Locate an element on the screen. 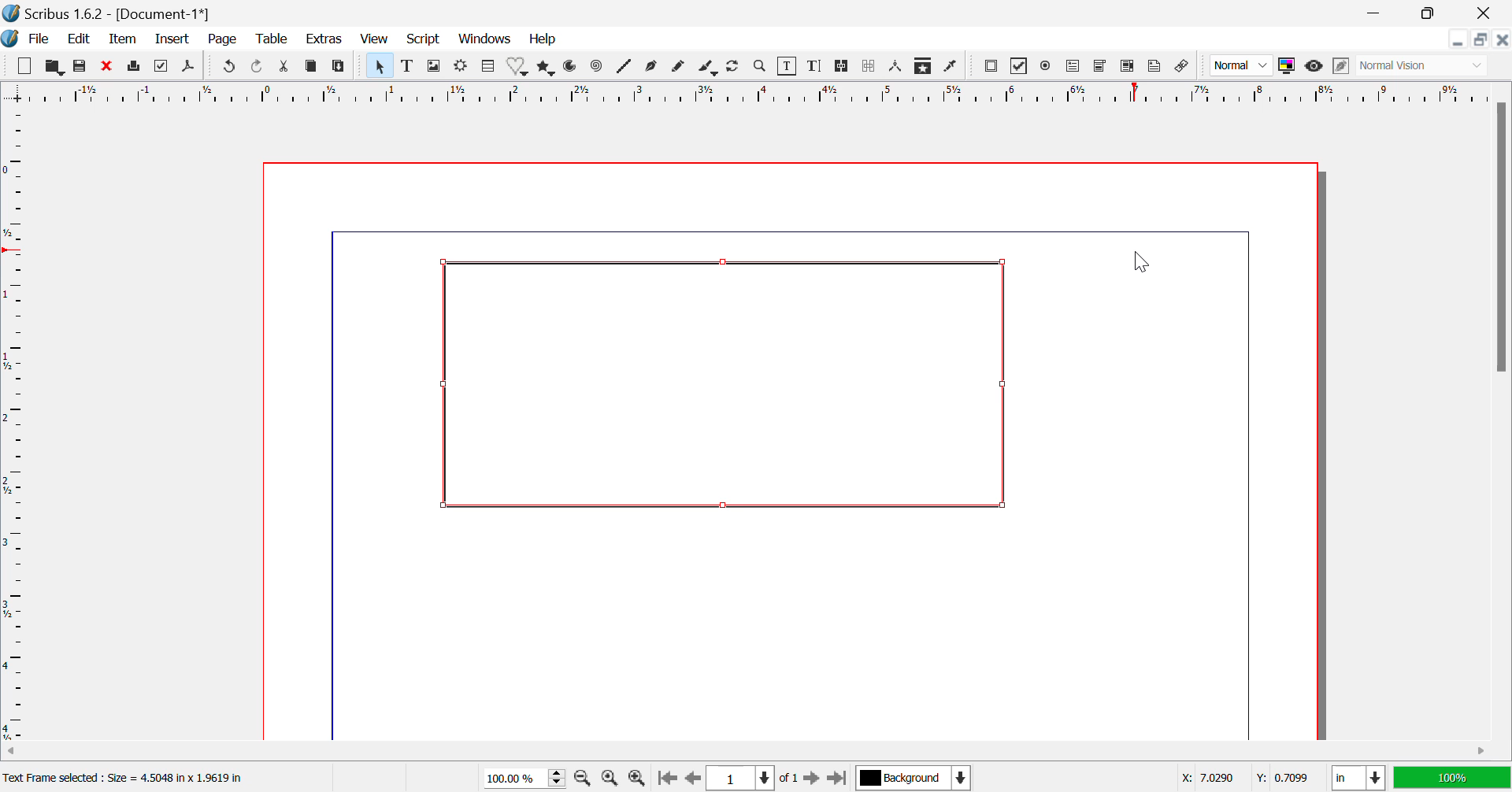 The height and width of the screenshot is (792, 1512). Zoom 100% is located at coordinates (526, 777).